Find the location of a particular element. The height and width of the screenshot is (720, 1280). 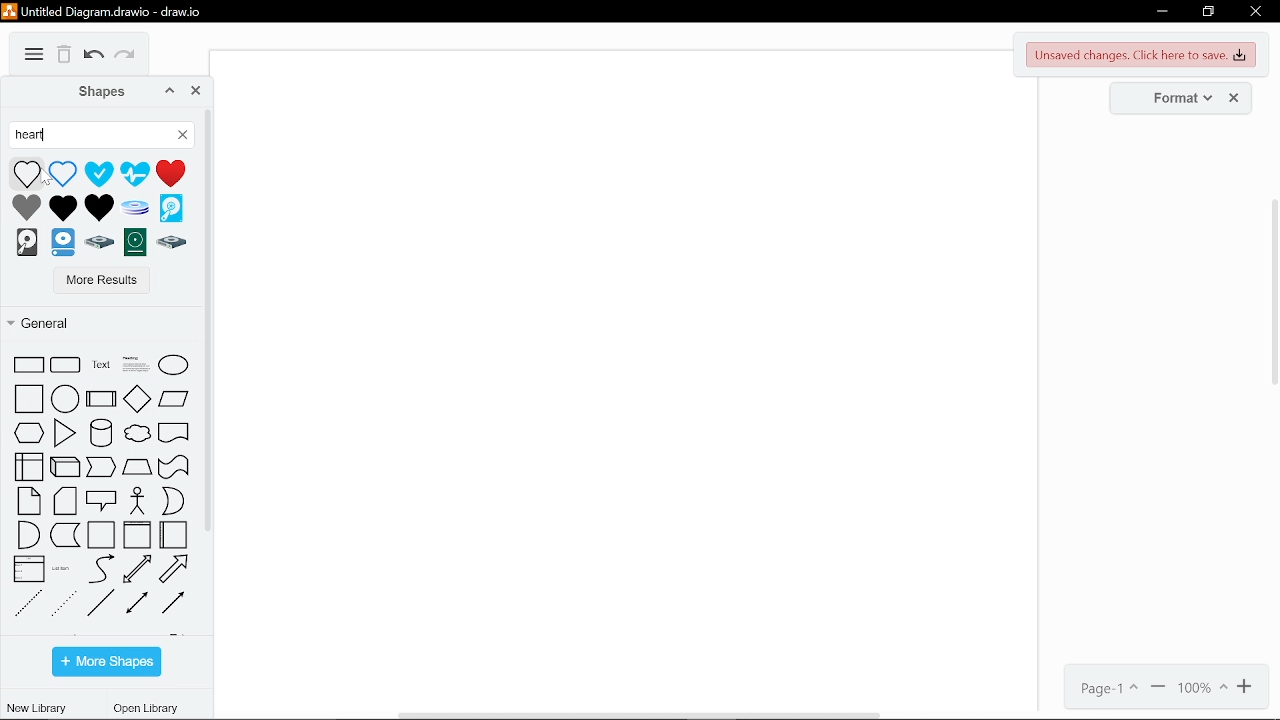

heading is located at coordinates (138, 361).